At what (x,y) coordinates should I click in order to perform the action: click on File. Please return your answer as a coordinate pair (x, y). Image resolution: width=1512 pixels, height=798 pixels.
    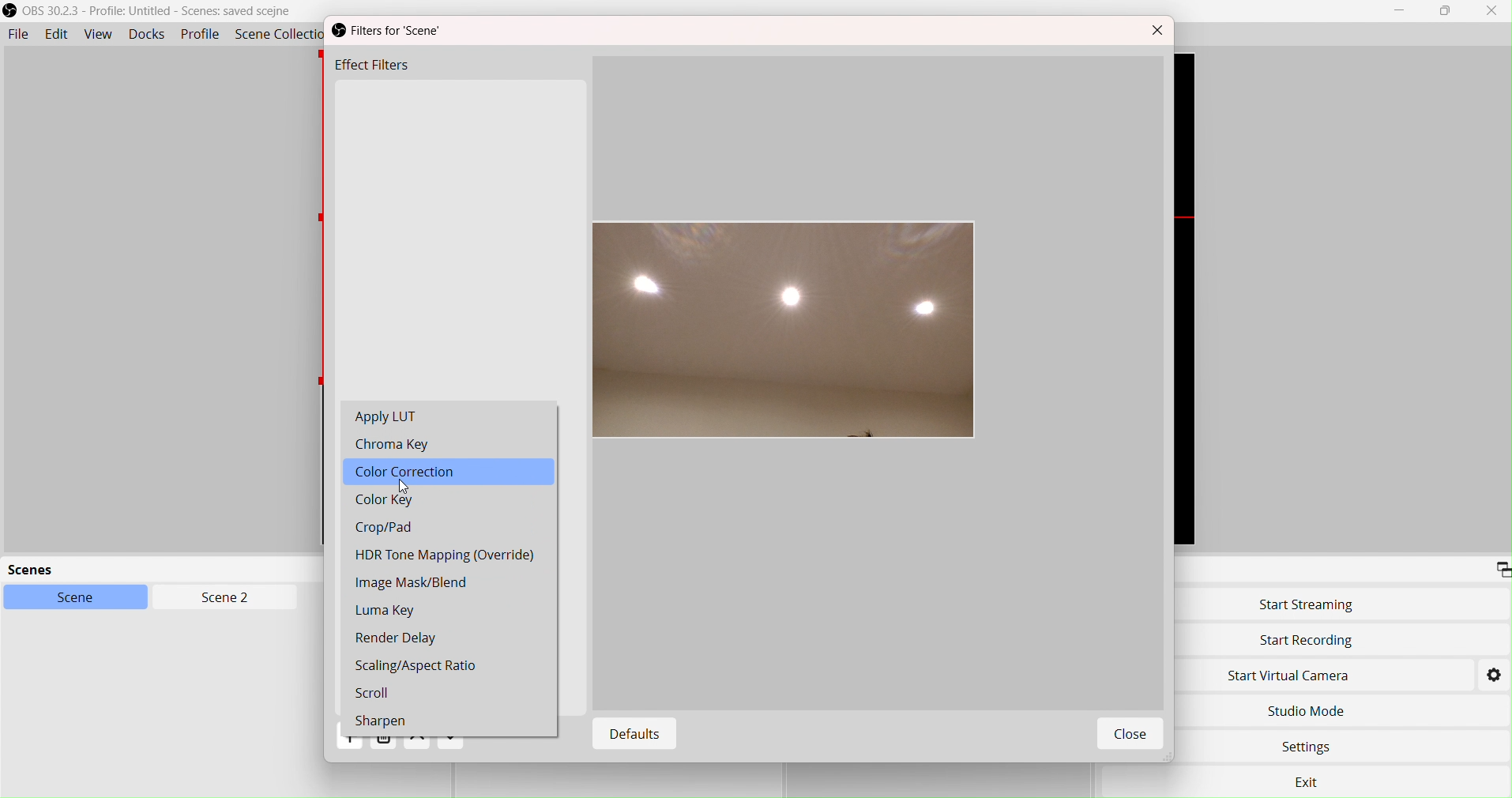
    Looking at the image, I should click on (18, 35).